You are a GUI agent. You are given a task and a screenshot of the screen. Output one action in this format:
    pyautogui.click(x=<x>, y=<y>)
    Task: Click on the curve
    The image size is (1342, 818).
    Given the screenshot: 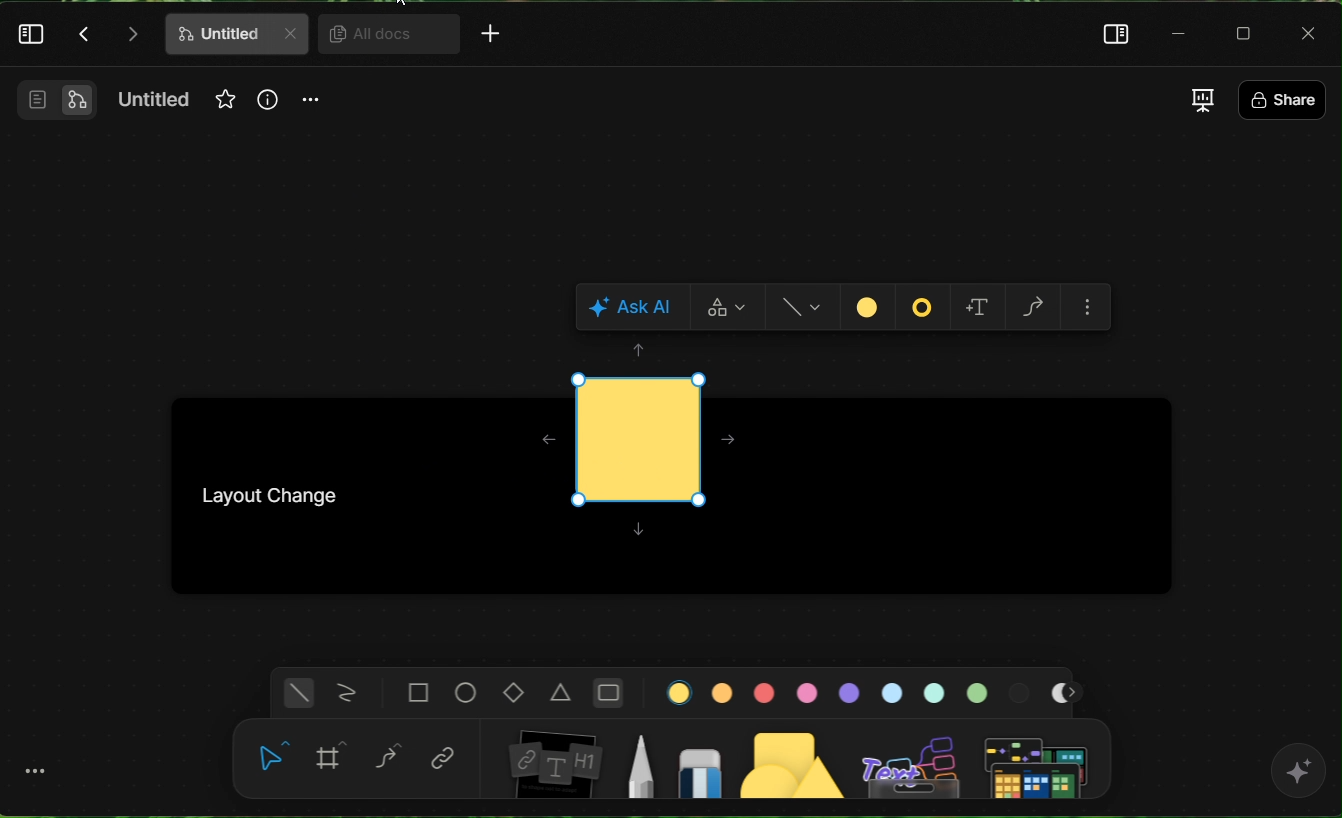 What is the action you would take?
    pyautogui.click(x=389, y=756)
    